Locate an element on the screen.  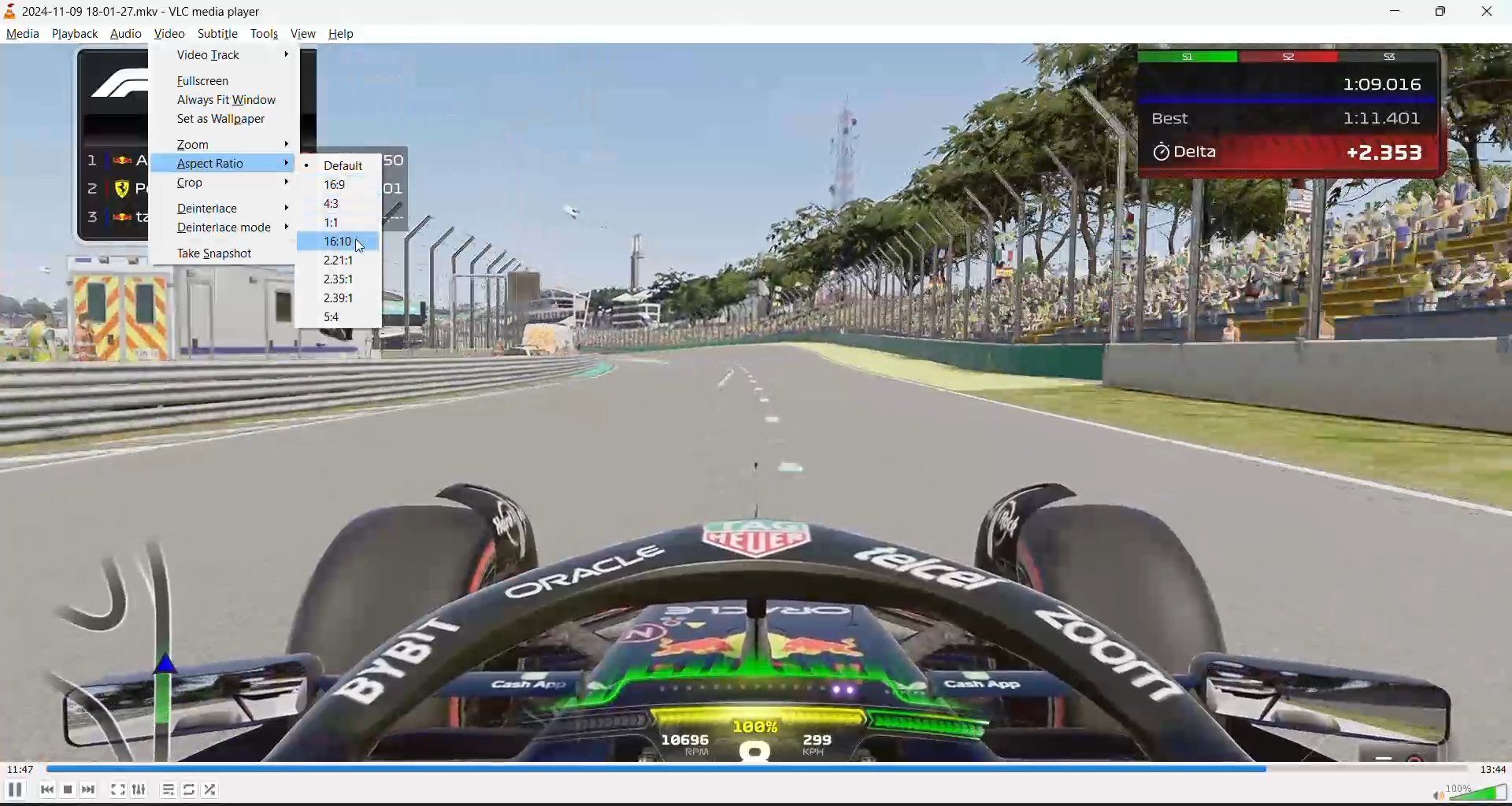
minimize is located at coordinates (1403, 13).